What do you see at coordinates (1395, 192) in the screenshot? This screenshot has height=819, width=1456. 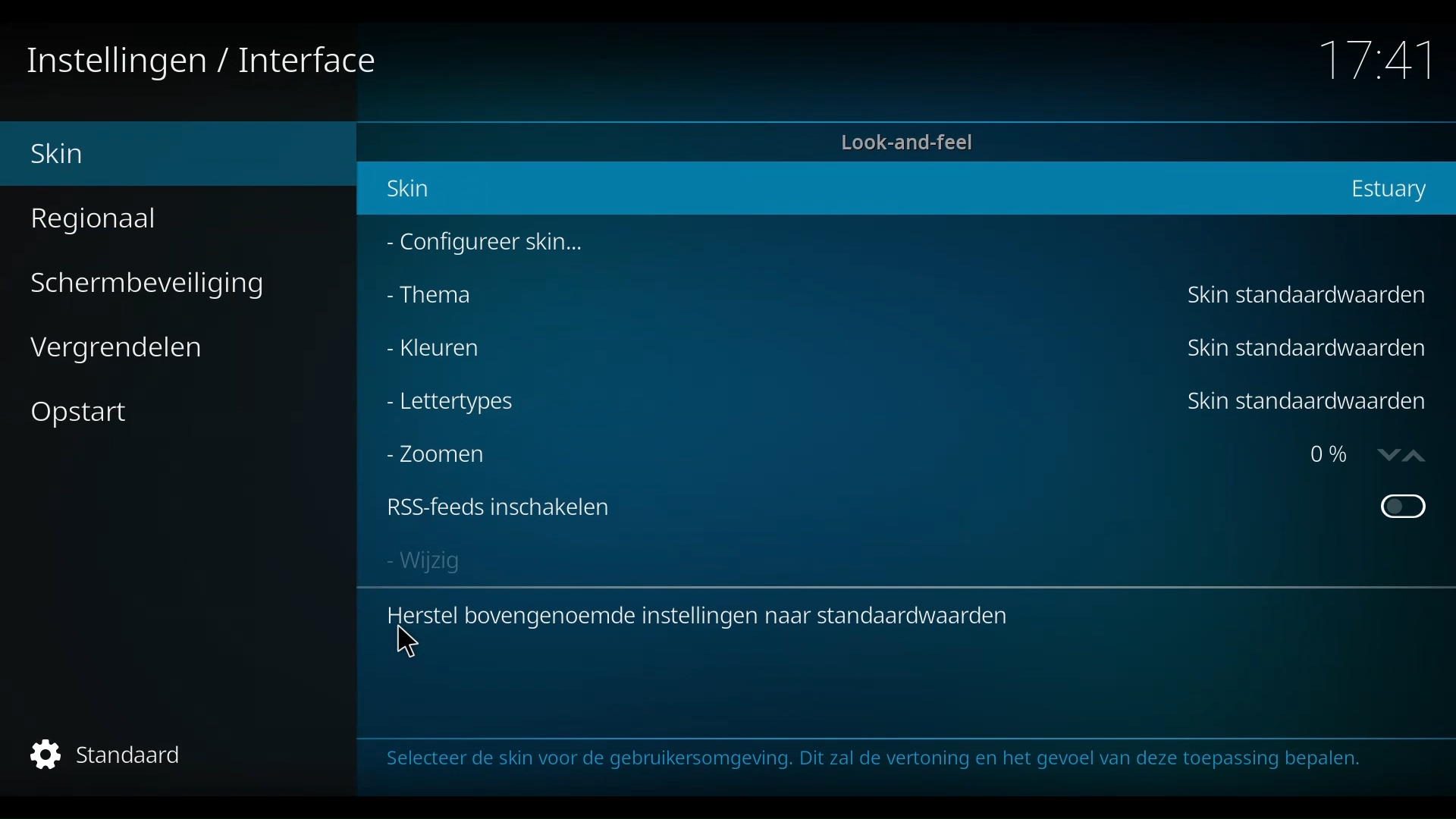 I see `Estuary` at bounding box center [1395, 192].